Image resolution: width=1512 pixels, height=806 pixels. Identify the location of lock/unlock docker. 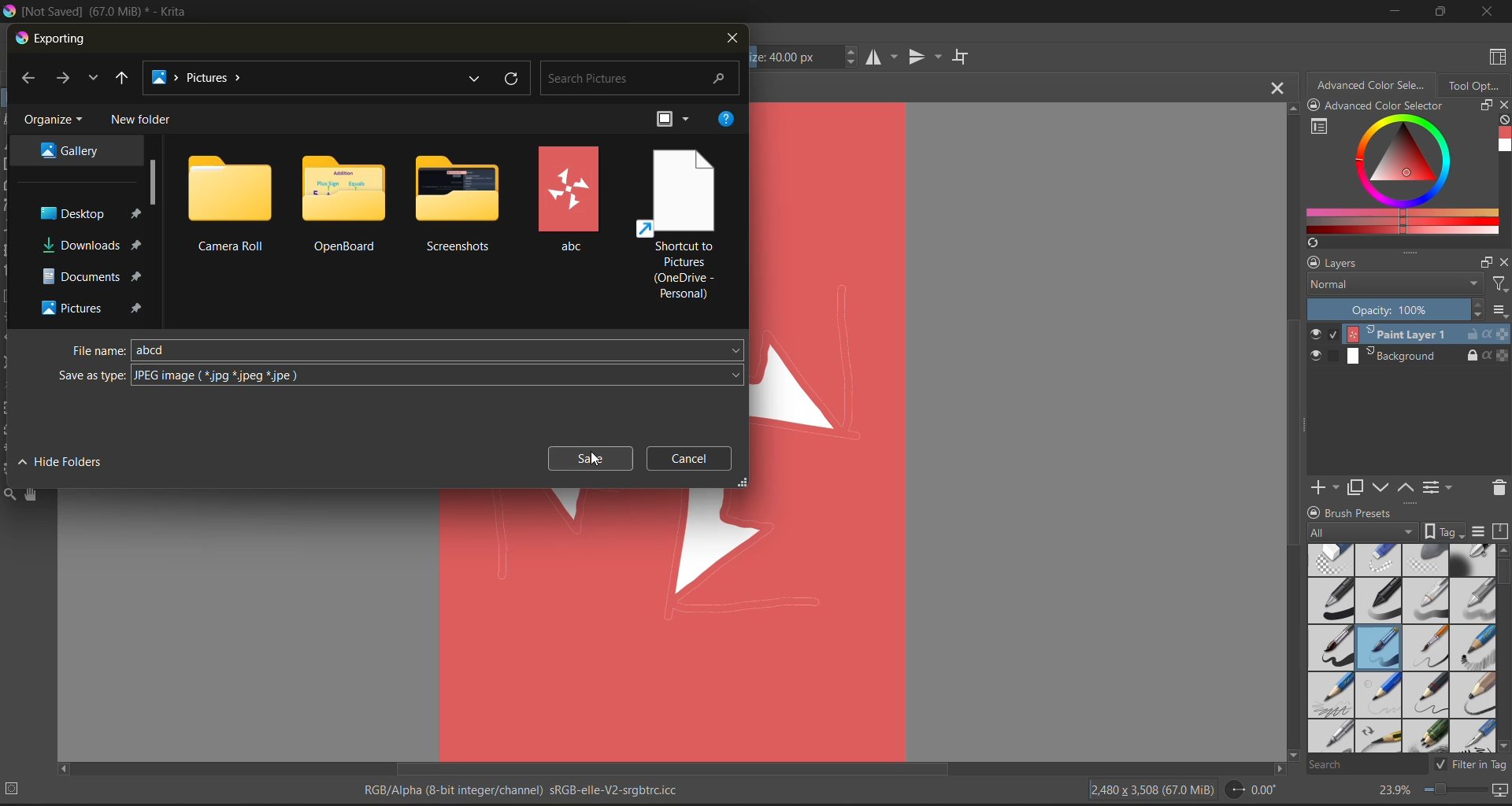
(1317, 106).